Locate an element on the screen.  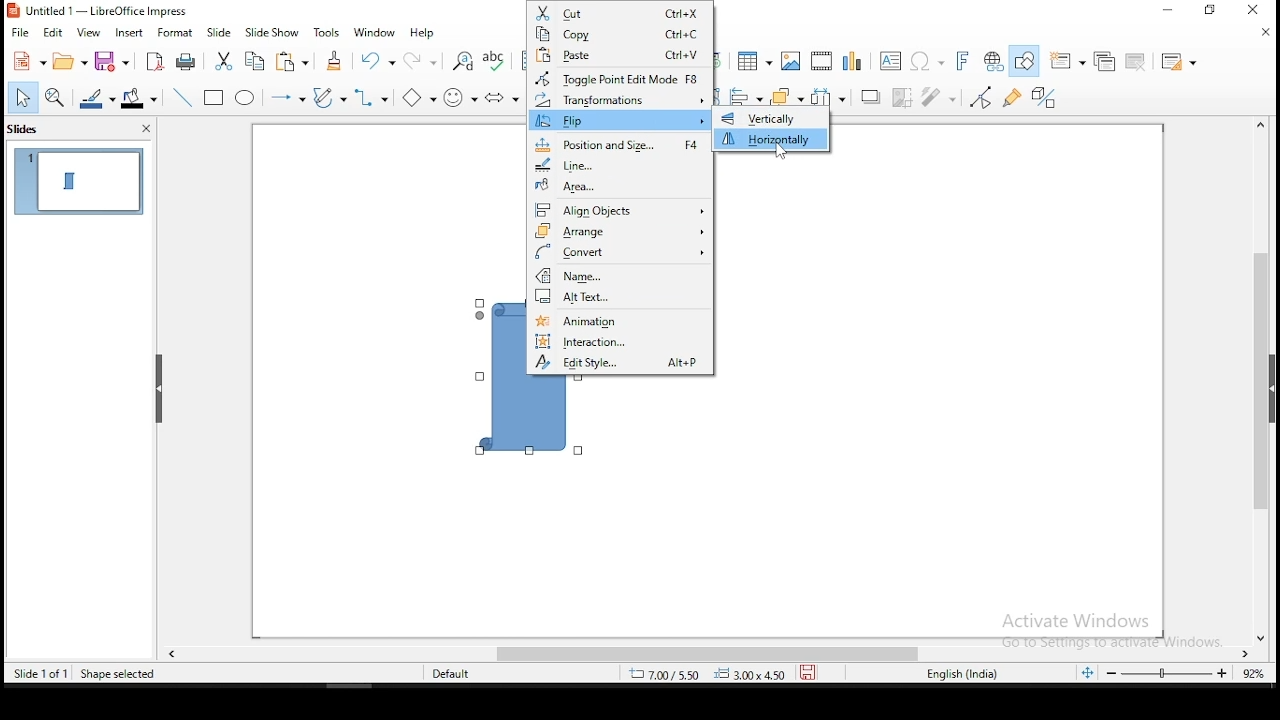
charts is located at coordinates (852, 58).